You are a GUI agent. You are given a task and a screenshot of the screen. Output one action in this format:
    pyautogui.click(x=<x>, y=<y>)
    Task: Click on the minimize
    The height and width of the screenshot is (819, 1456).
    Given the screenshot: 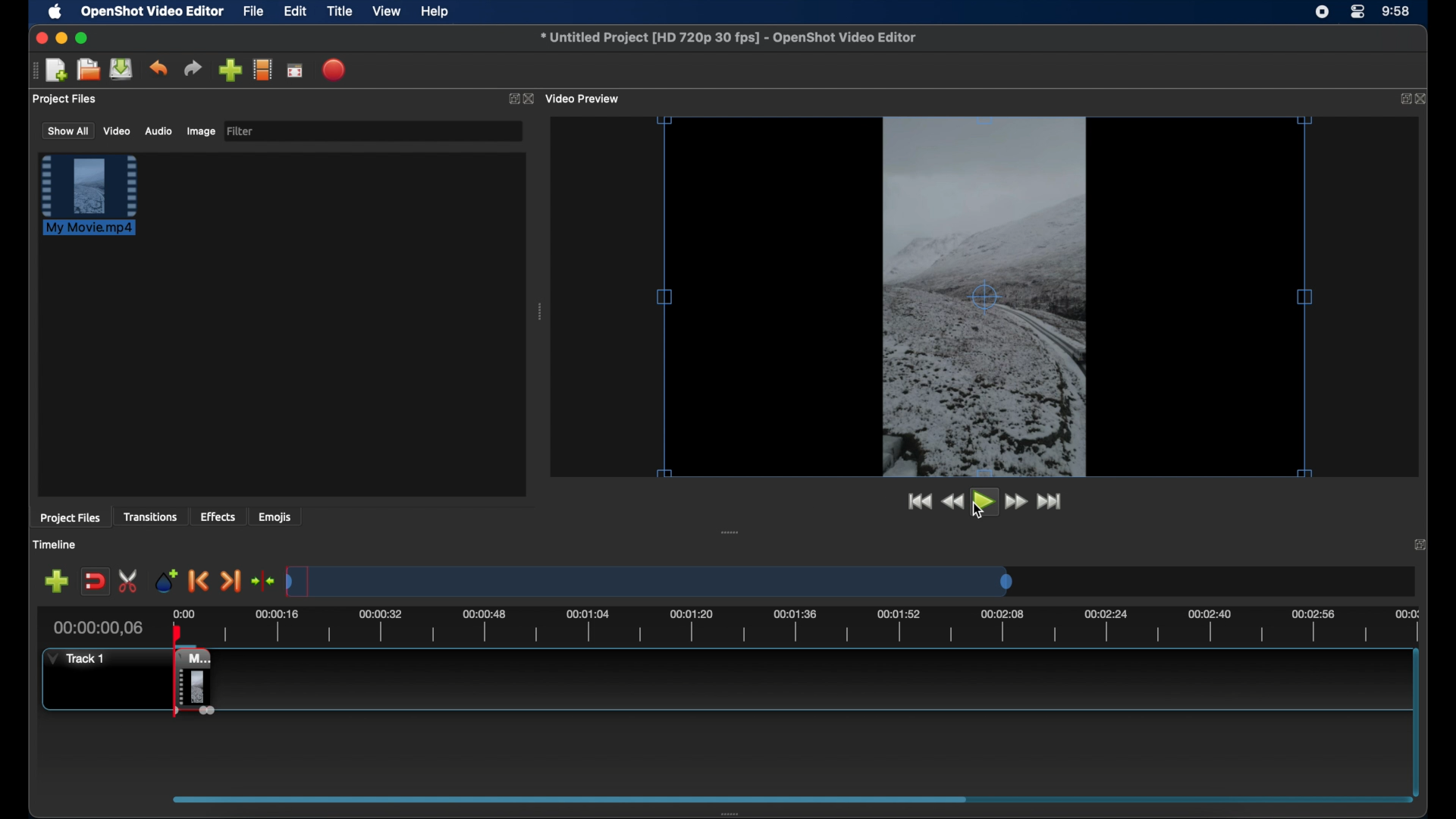 What is the action you would take?
    pyautogui.click(x=61, y=38)
    